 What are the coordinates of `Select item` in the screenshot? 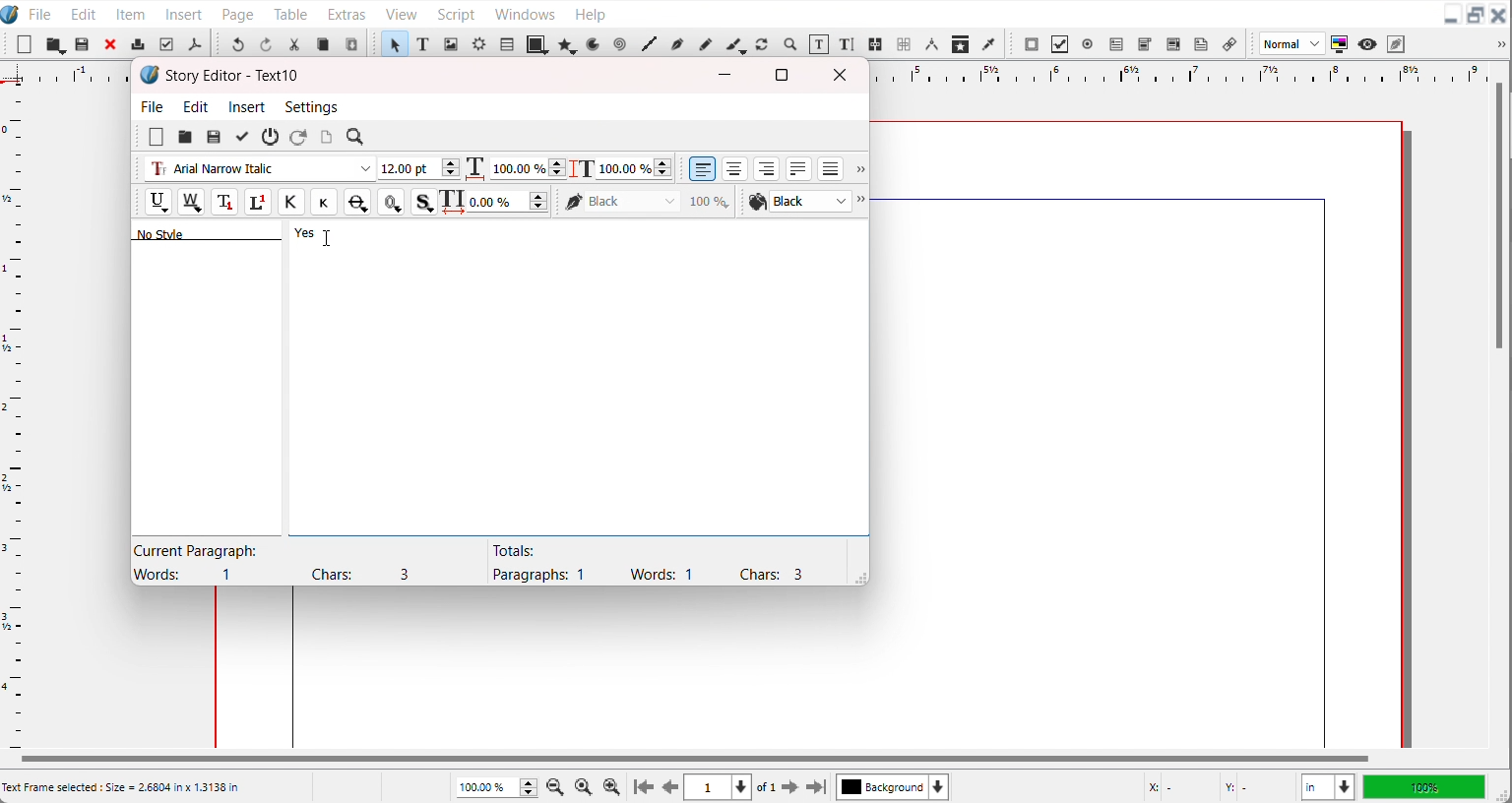 It's located at (394, 43).